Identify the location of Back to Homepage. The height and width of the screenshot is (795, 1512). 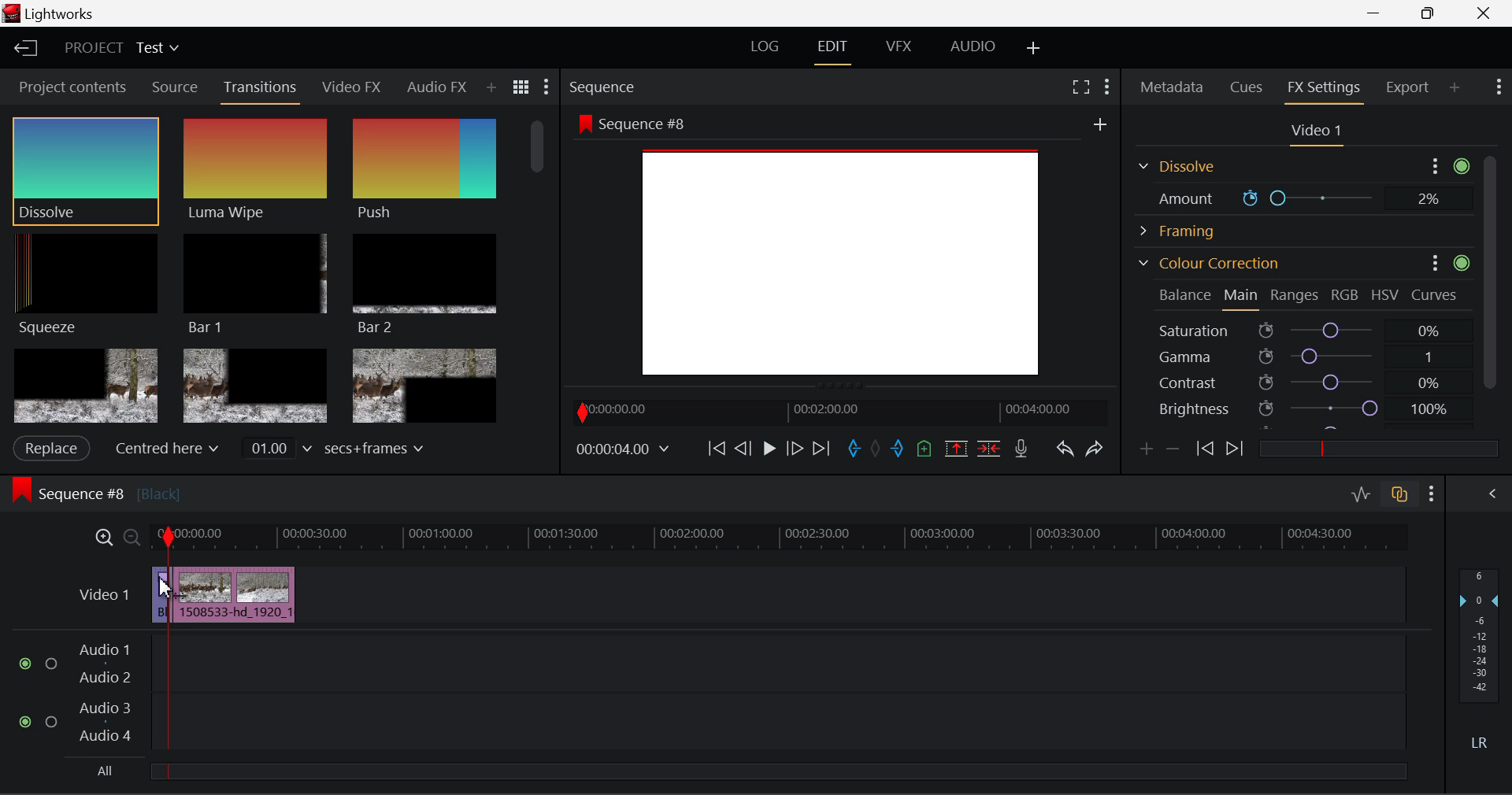
(20, 49).